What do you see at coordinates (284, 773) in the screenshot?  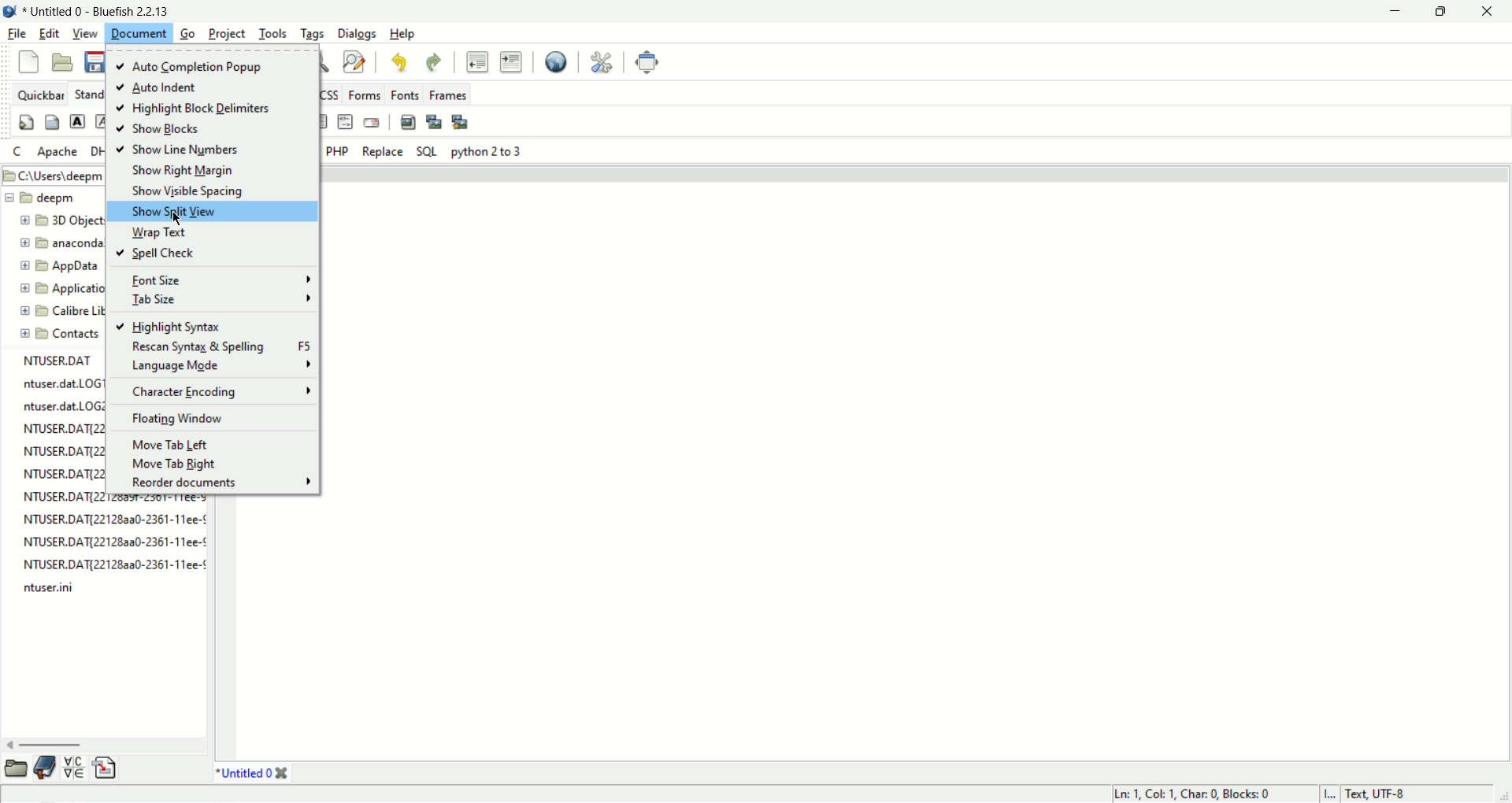 I see `close` at bounding box center [284, 773].